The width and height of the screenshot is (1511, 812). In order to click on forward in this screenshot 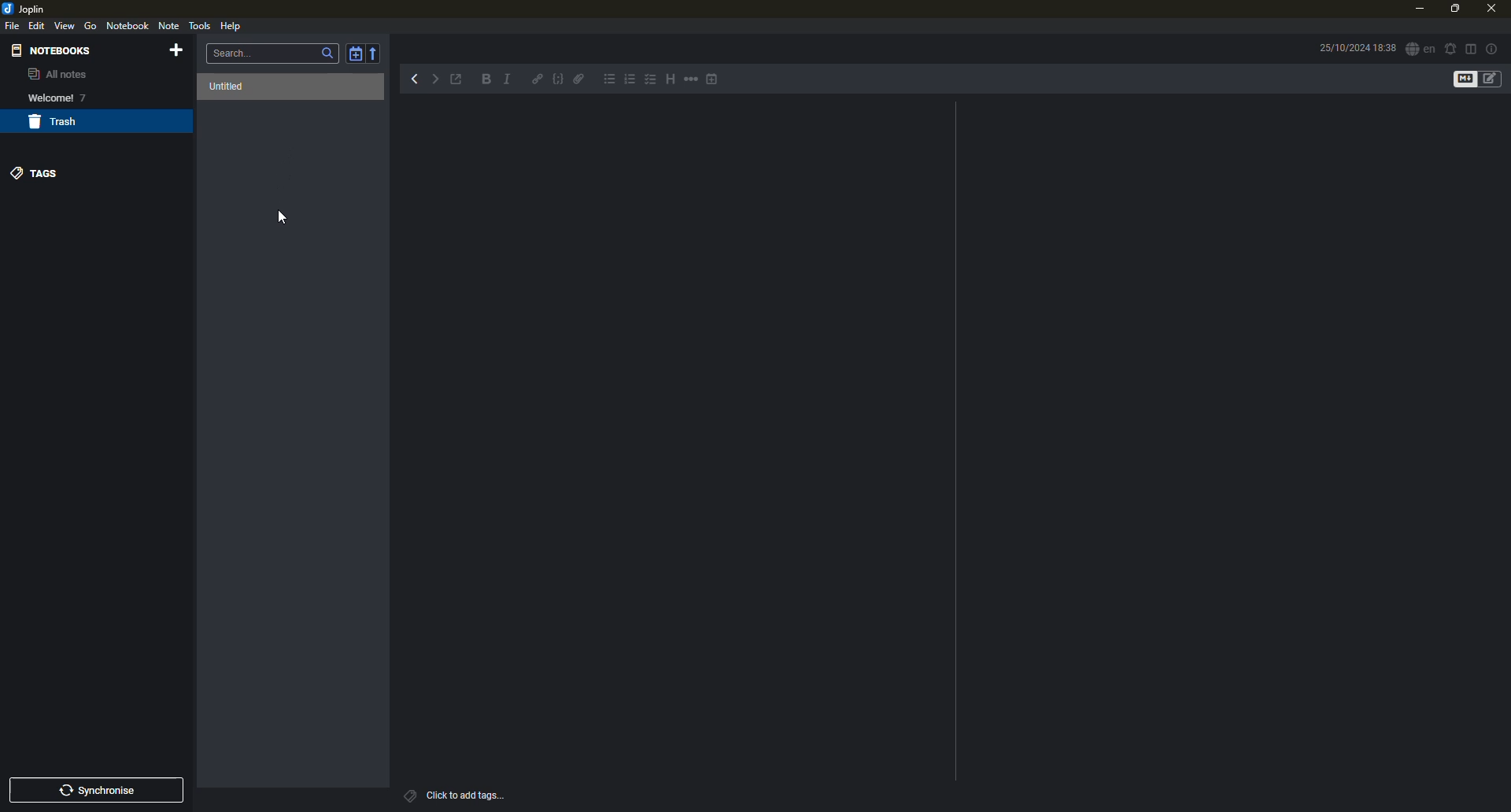, I will do `click(439, 79)`.